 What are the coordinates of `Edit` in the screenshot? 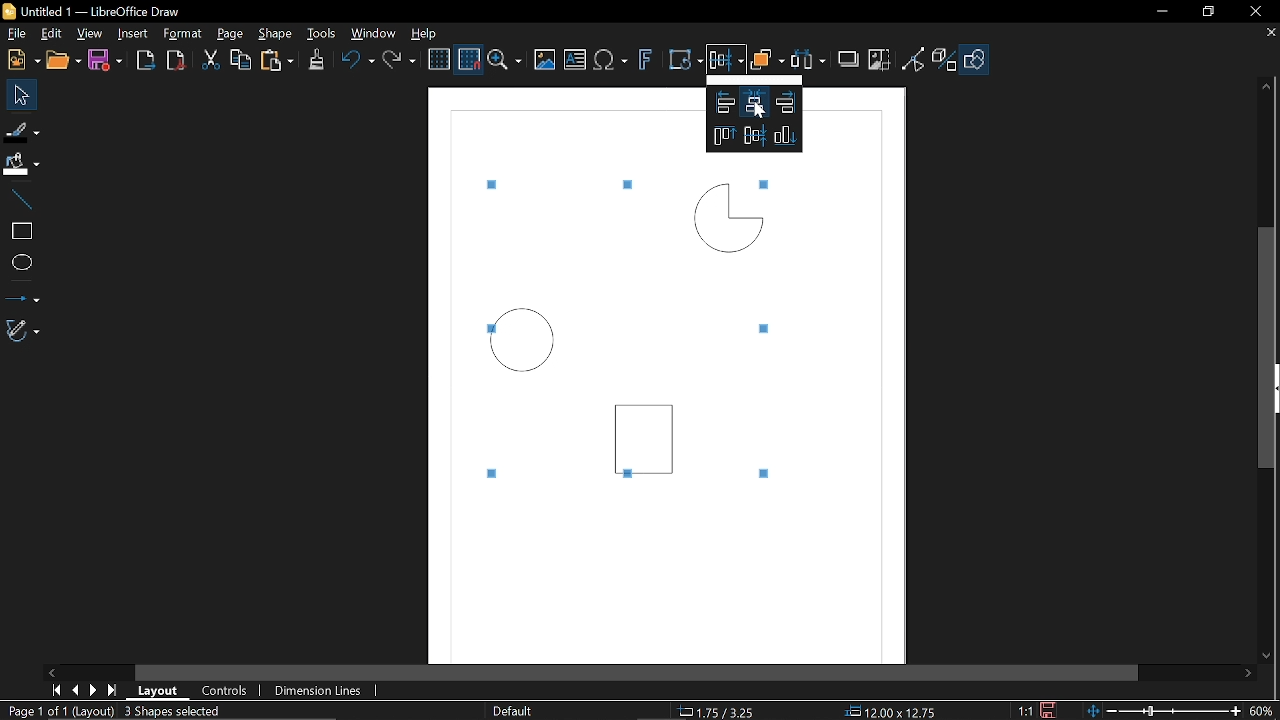 It's located at (52, 33).